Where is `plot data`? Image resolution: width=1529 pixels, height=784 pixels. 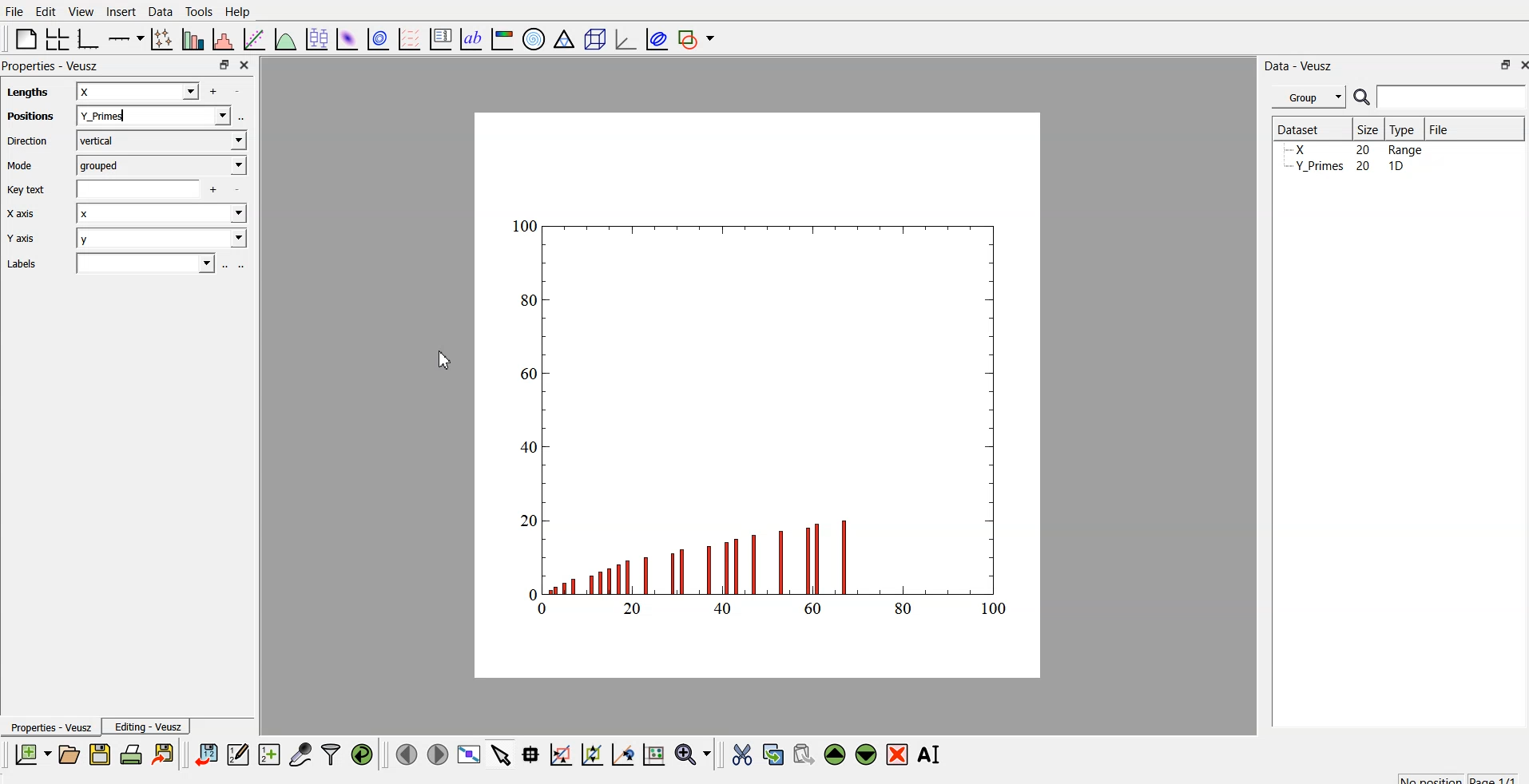
plot data is located at coordinates (378, 38).